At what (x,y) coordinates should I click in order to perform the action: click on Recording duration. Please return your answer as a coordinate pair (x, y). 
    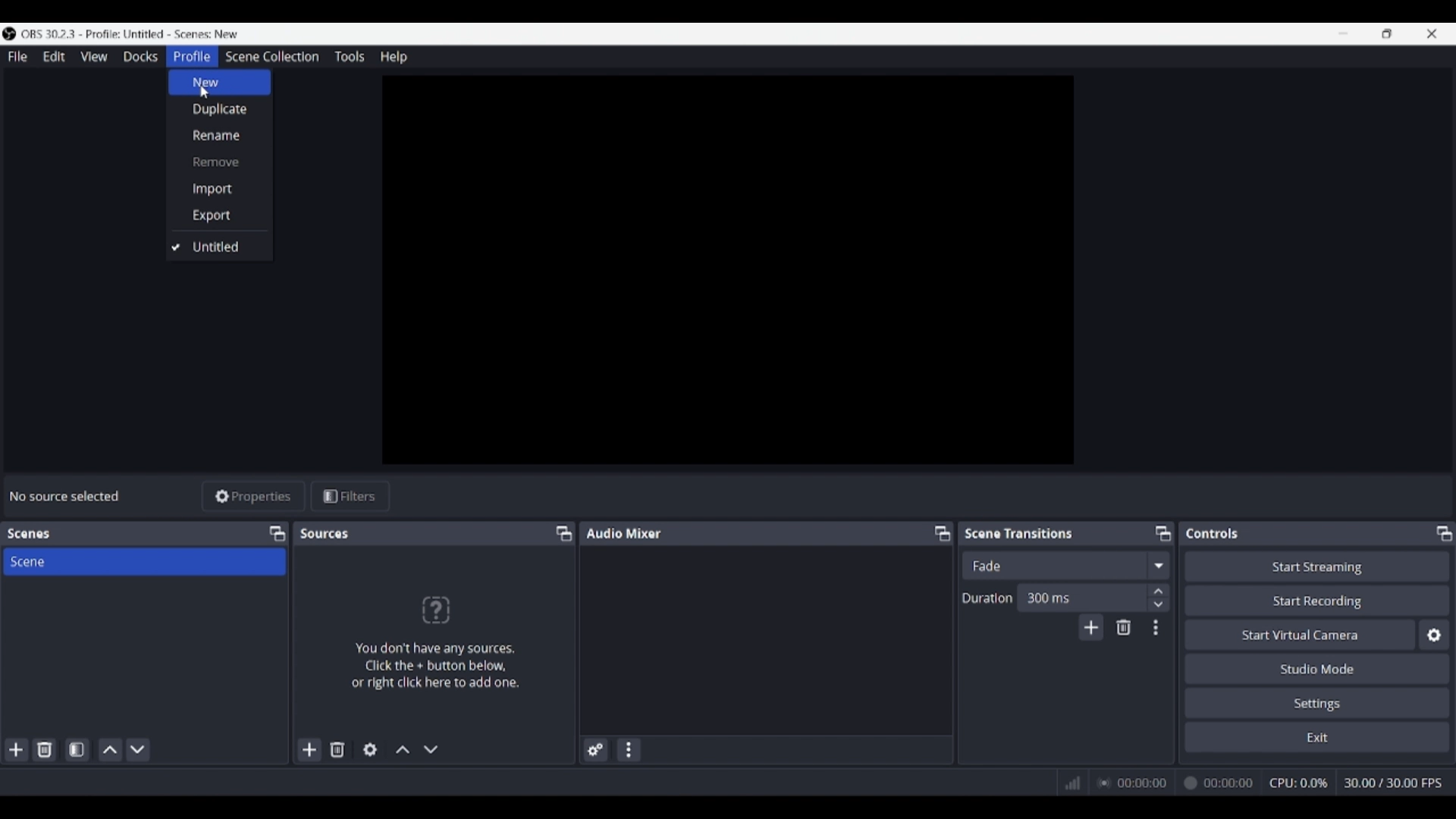
    Looking at the image, I should click on (1175, 783).